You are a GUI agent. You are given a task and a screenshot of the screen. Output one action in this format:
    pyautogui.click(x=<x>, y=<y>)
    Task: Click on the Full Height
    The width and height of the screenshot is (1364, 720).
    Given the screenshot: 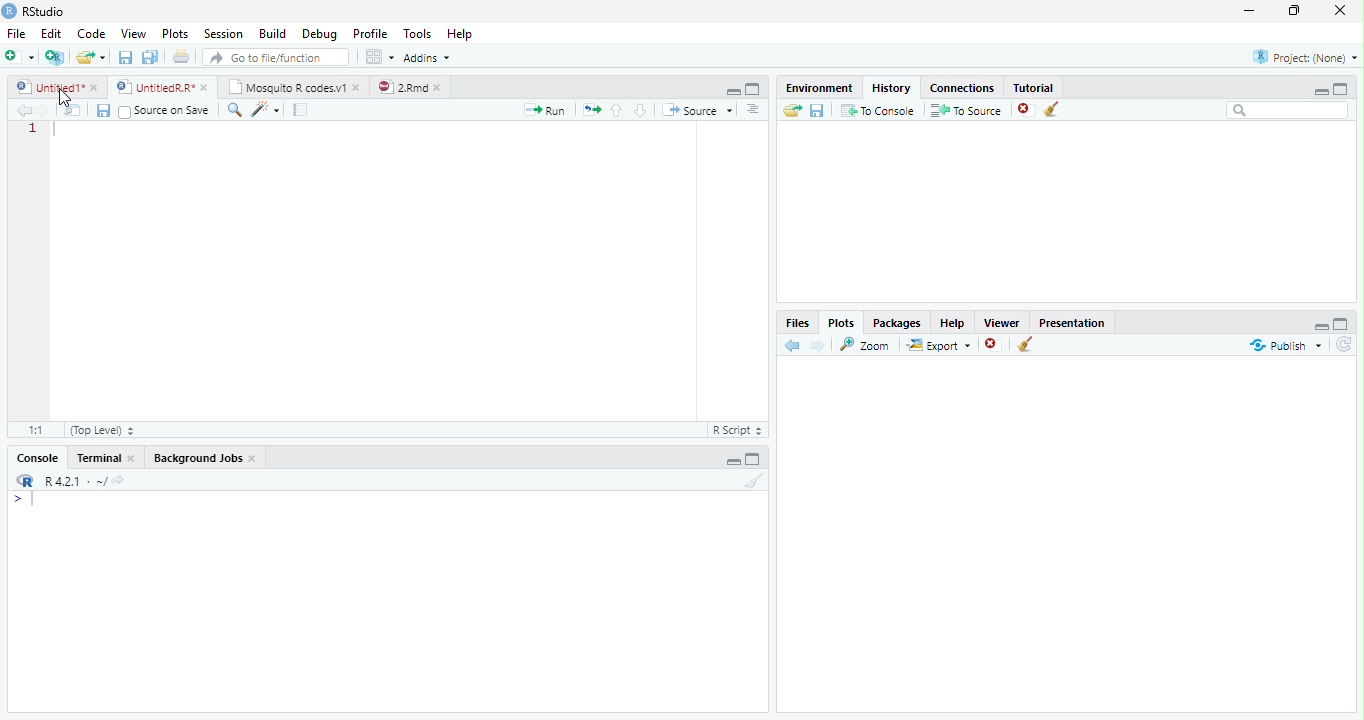 What is the action you would take?
    pyautogui.click(x=754, y=88)
    